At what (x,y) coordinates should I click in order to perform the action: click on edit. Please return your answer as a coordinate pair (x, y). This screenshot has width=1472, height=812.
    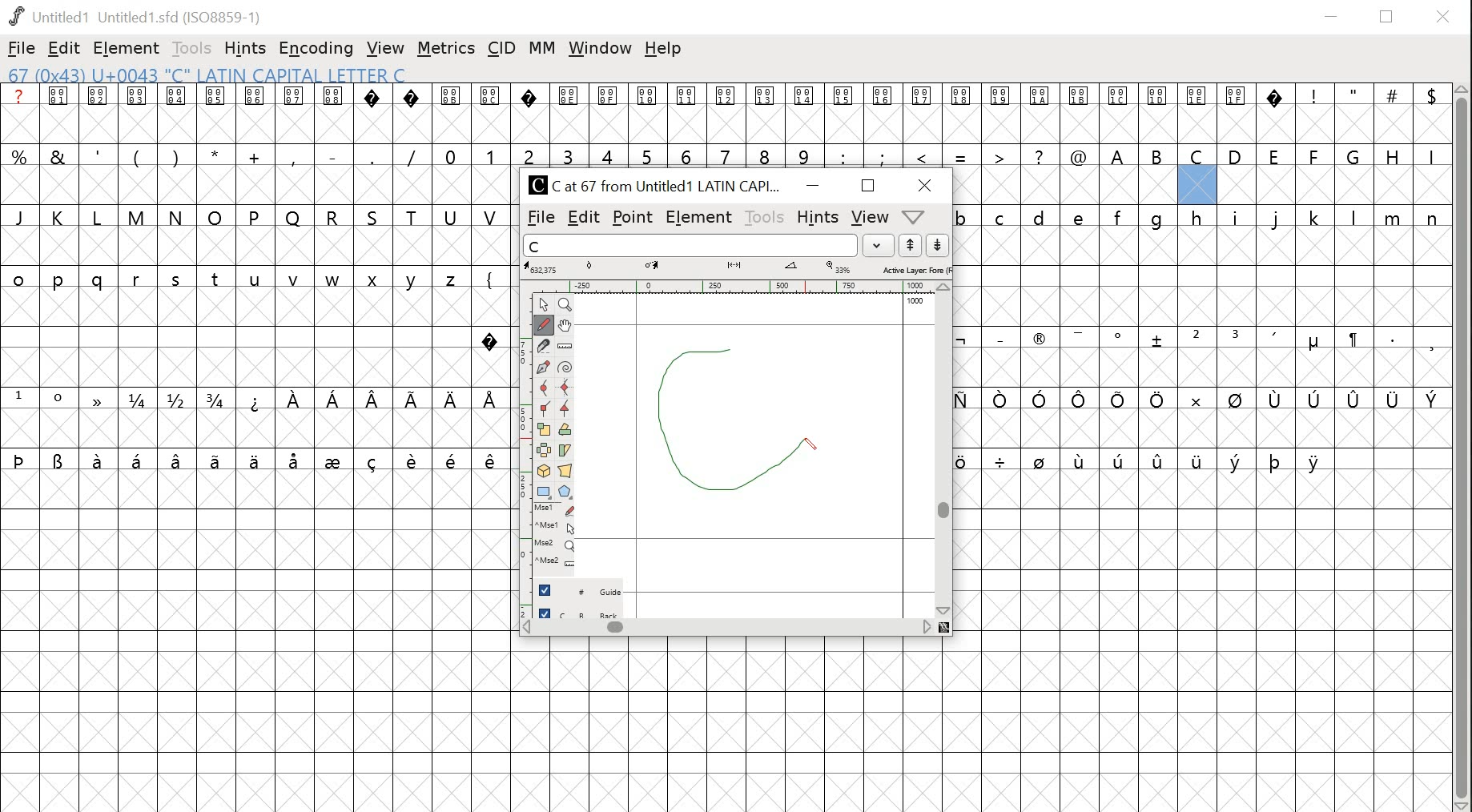
    Looking at the image, I should click on (63, 48).